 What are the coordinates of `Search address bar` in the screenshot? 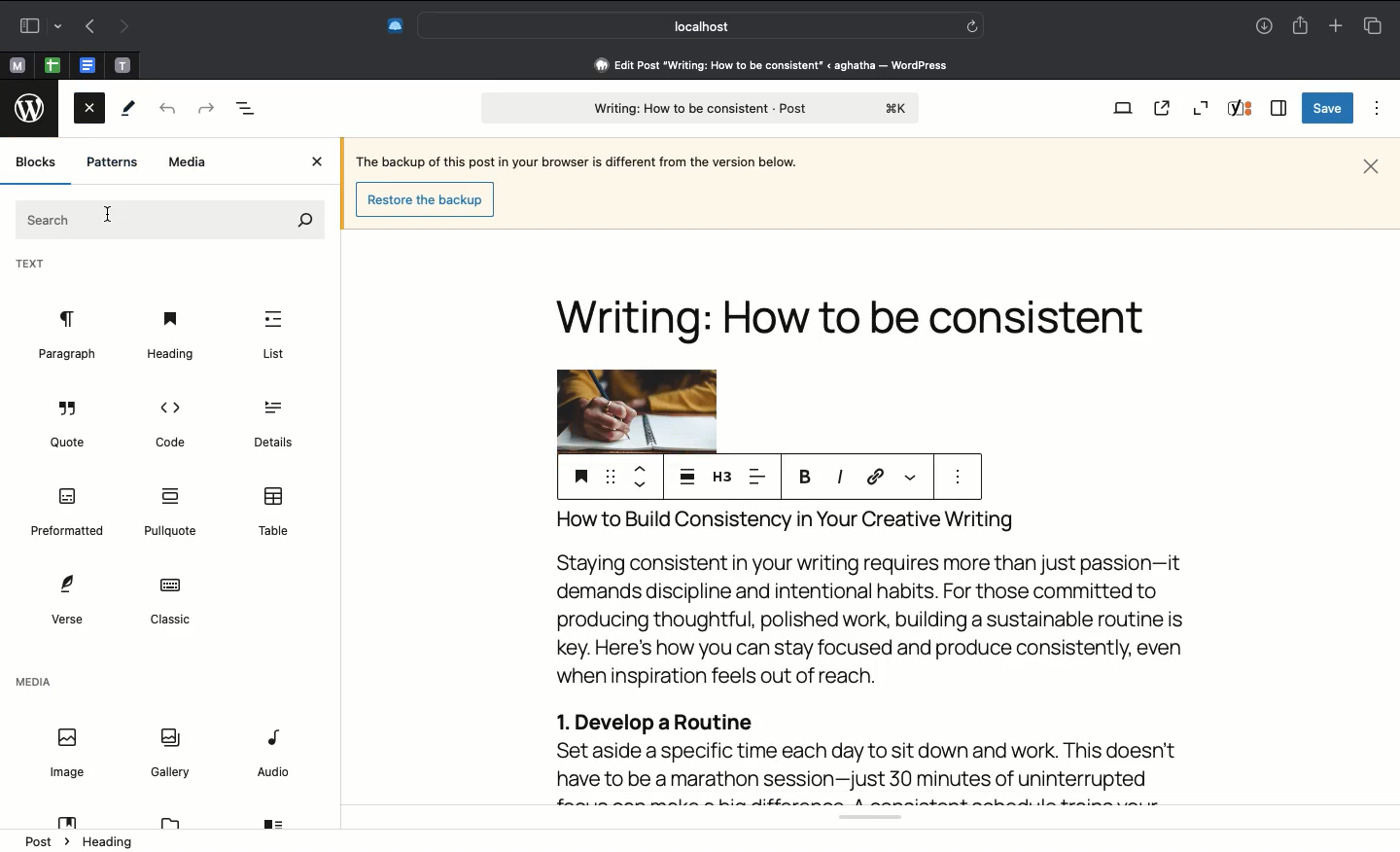 It's located at (698, 26).